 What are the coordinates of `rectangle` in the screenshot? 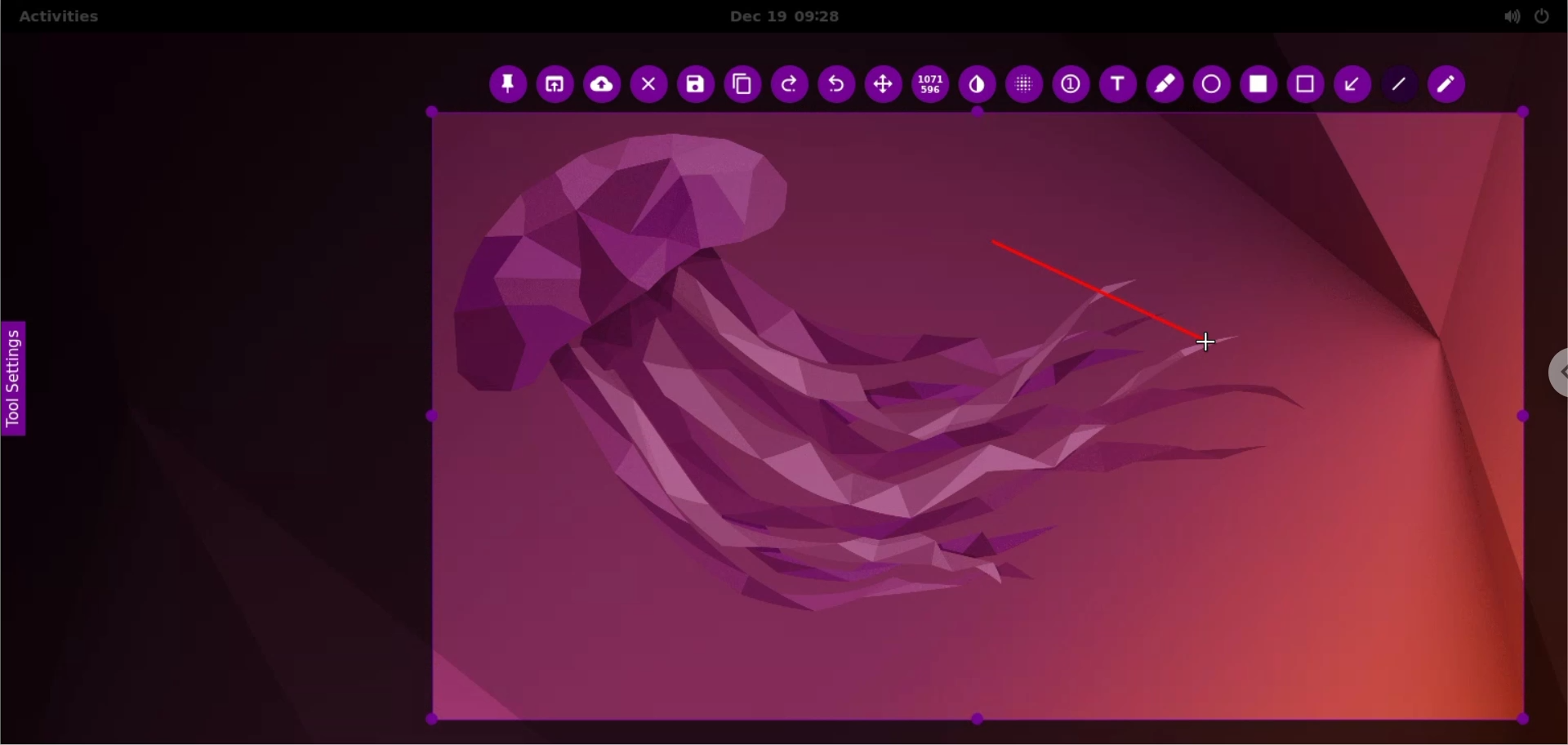 It's located at (1303, 84).